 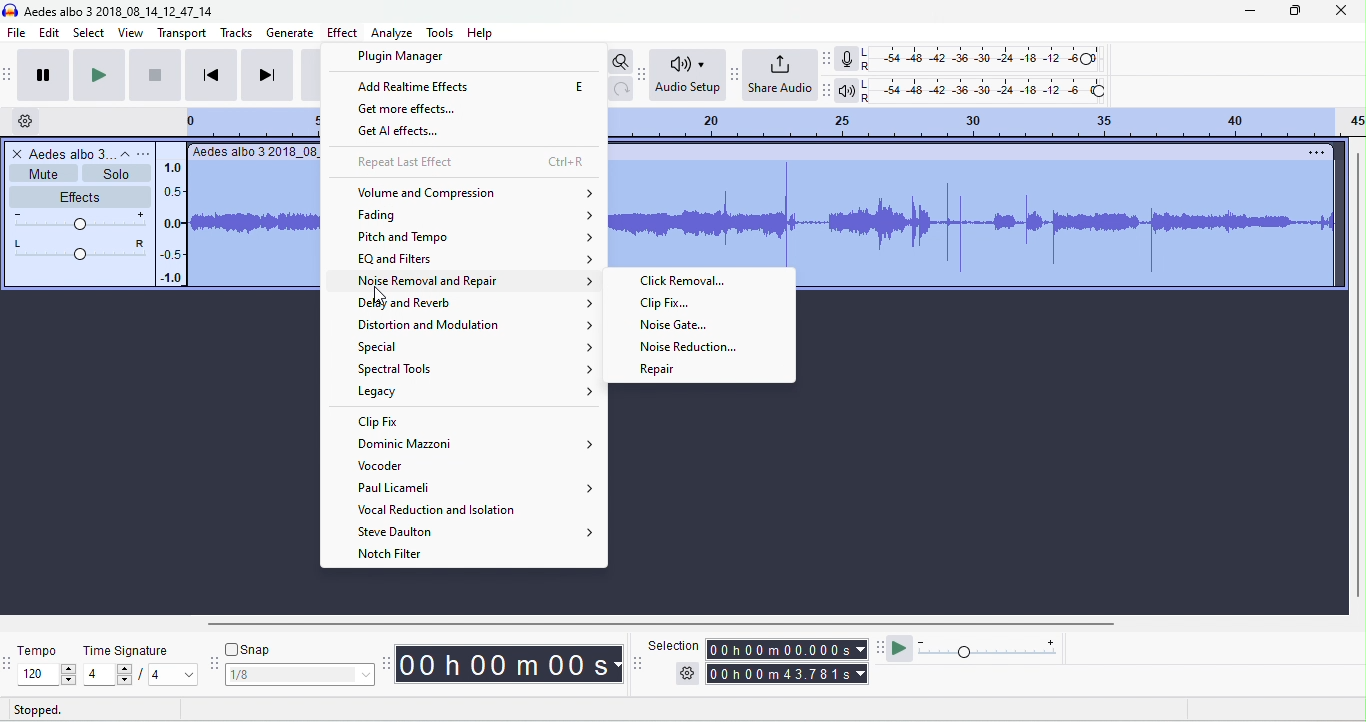 What do you see at coordinates (381, 294) in the screenshot?
I see `cursor movement` at bounding box center [381, 294].